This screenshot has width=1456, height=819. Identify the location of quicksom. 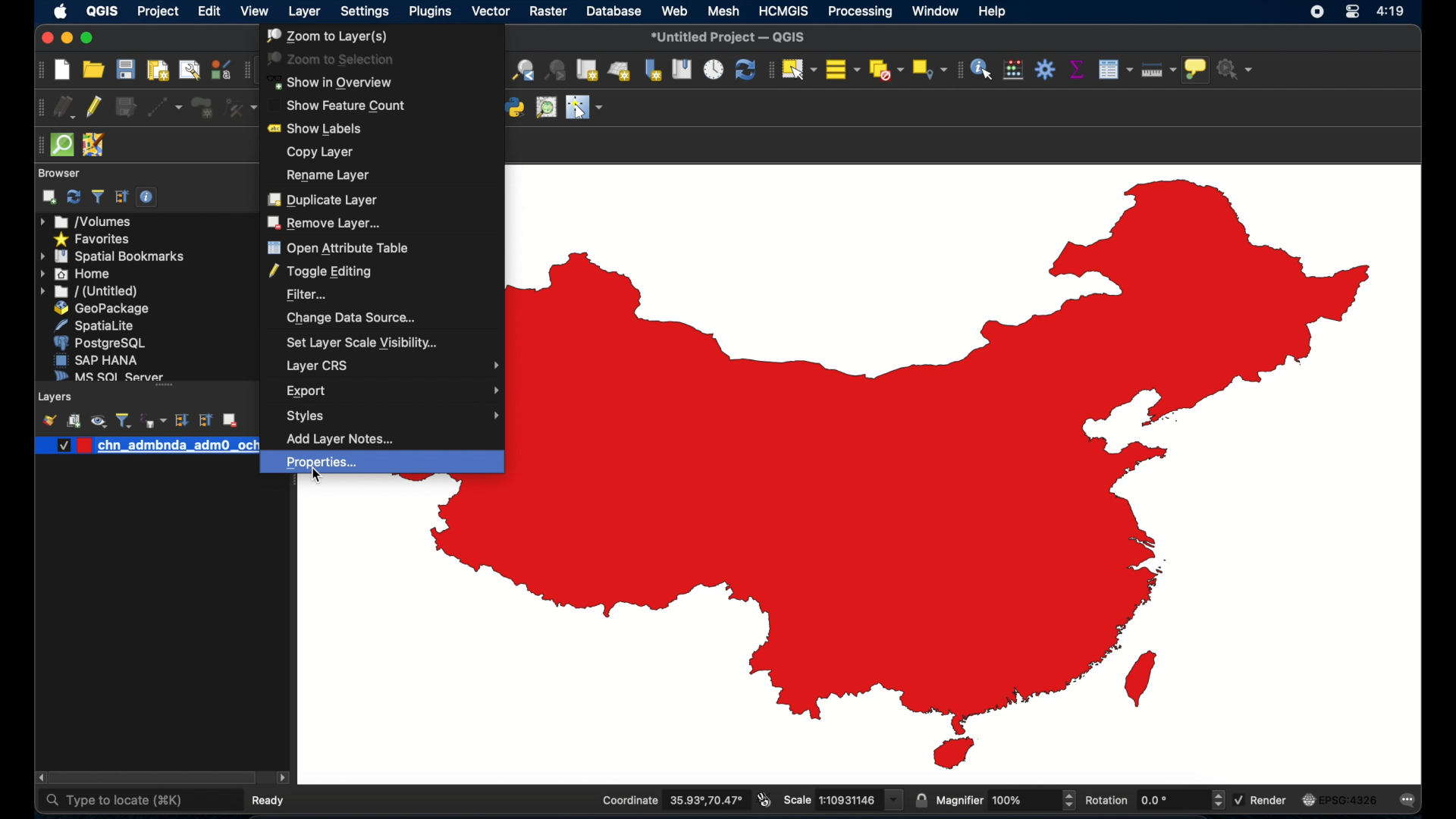
(61, 146).